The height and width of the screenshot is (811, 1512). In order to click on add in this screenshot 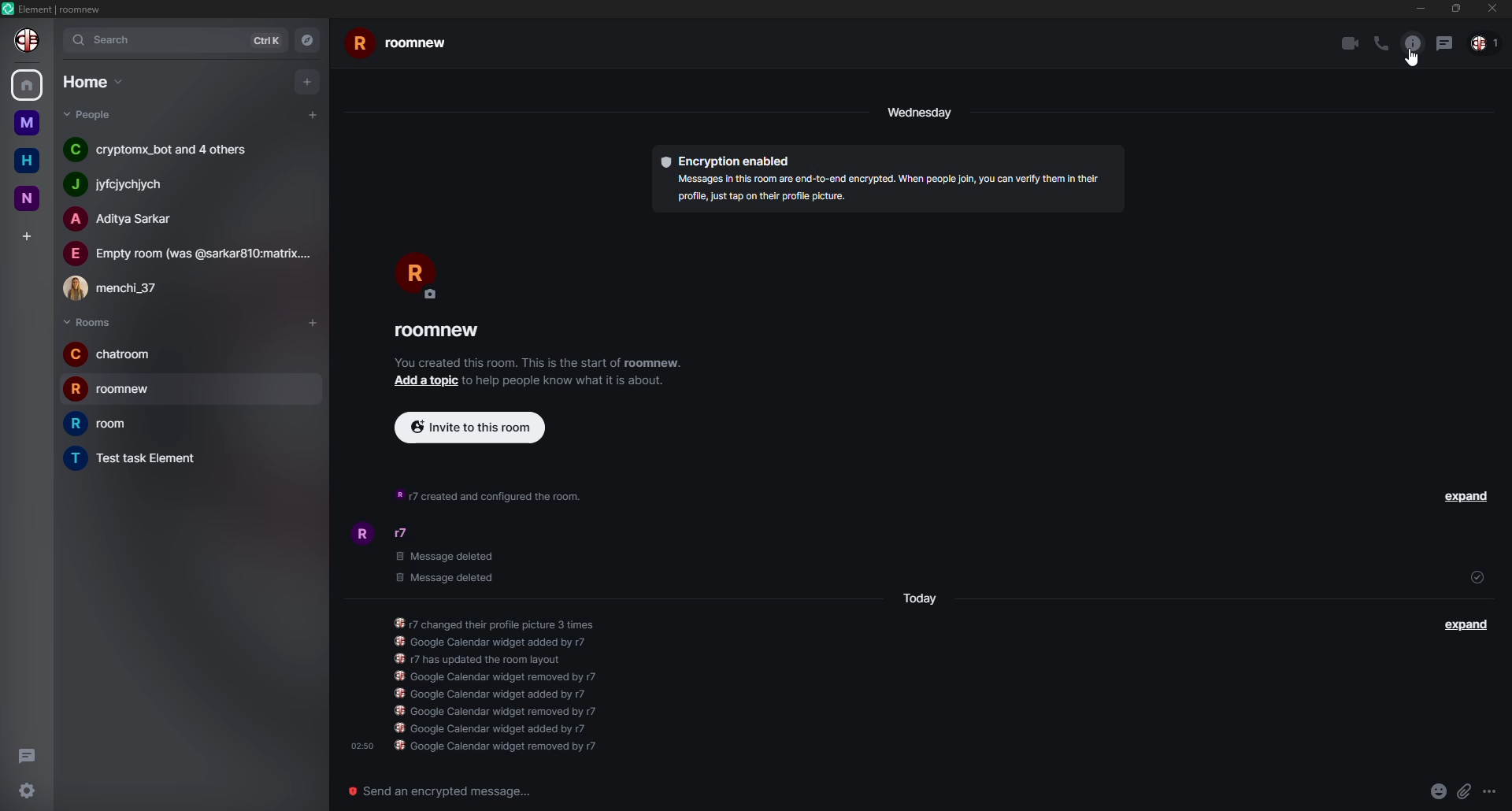, I will do `click(310, 113)`.